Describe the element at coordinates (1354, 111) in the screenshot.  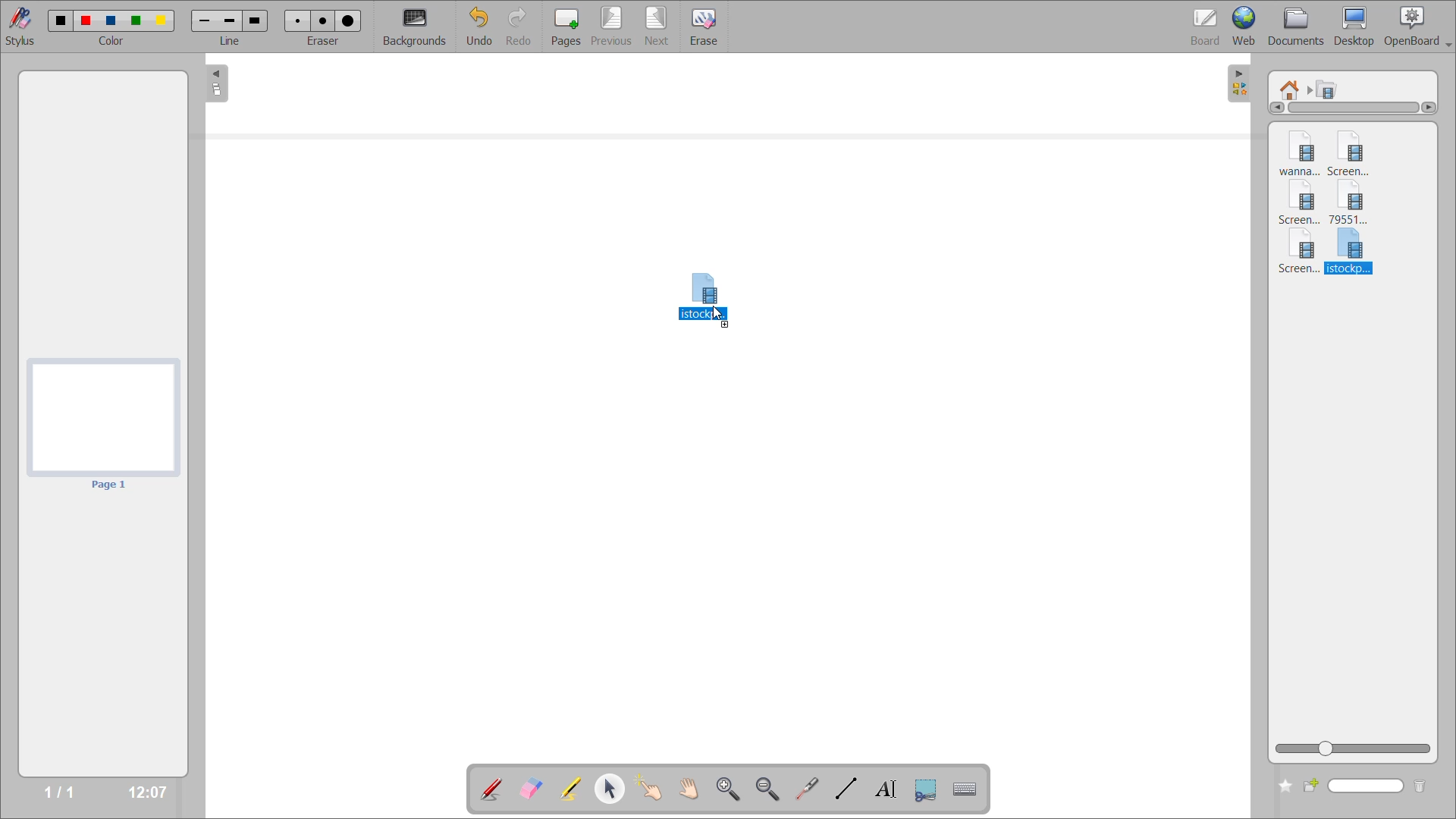
I see `horizontal scroll bar` at that location.